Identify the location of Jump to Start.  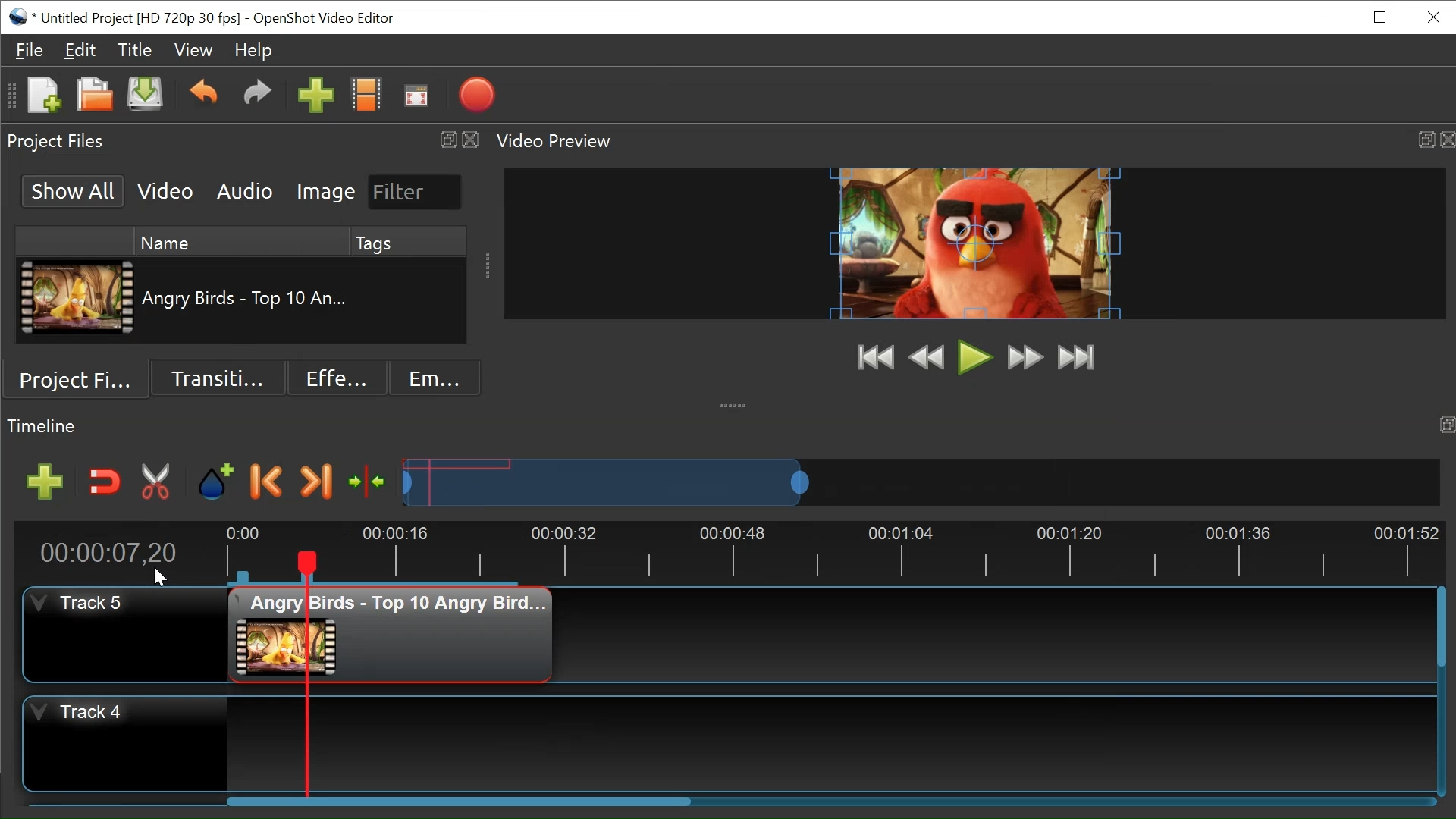
(876, 357).